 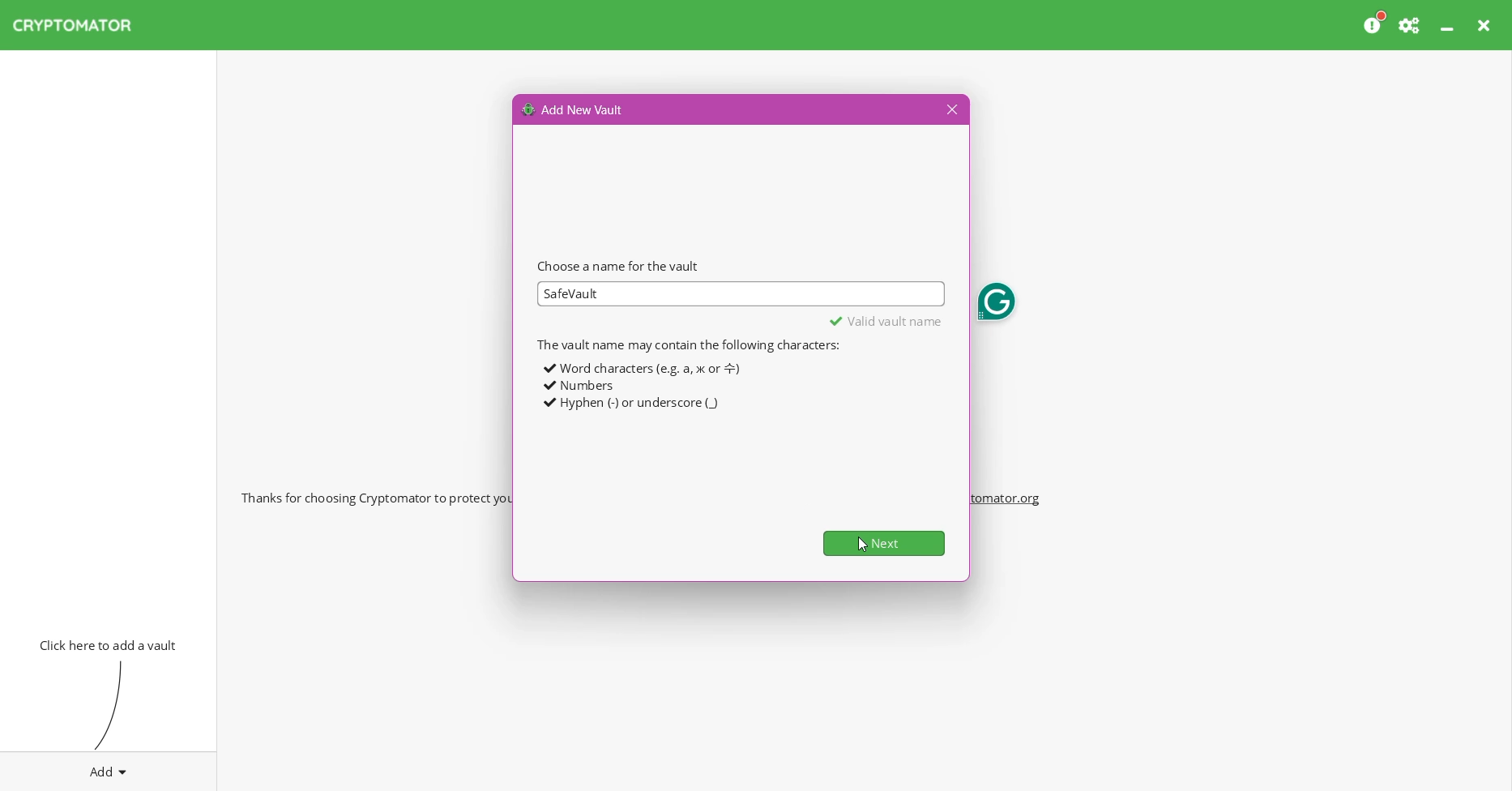 I want to click on Minimize, so click(x=1449, y=25).